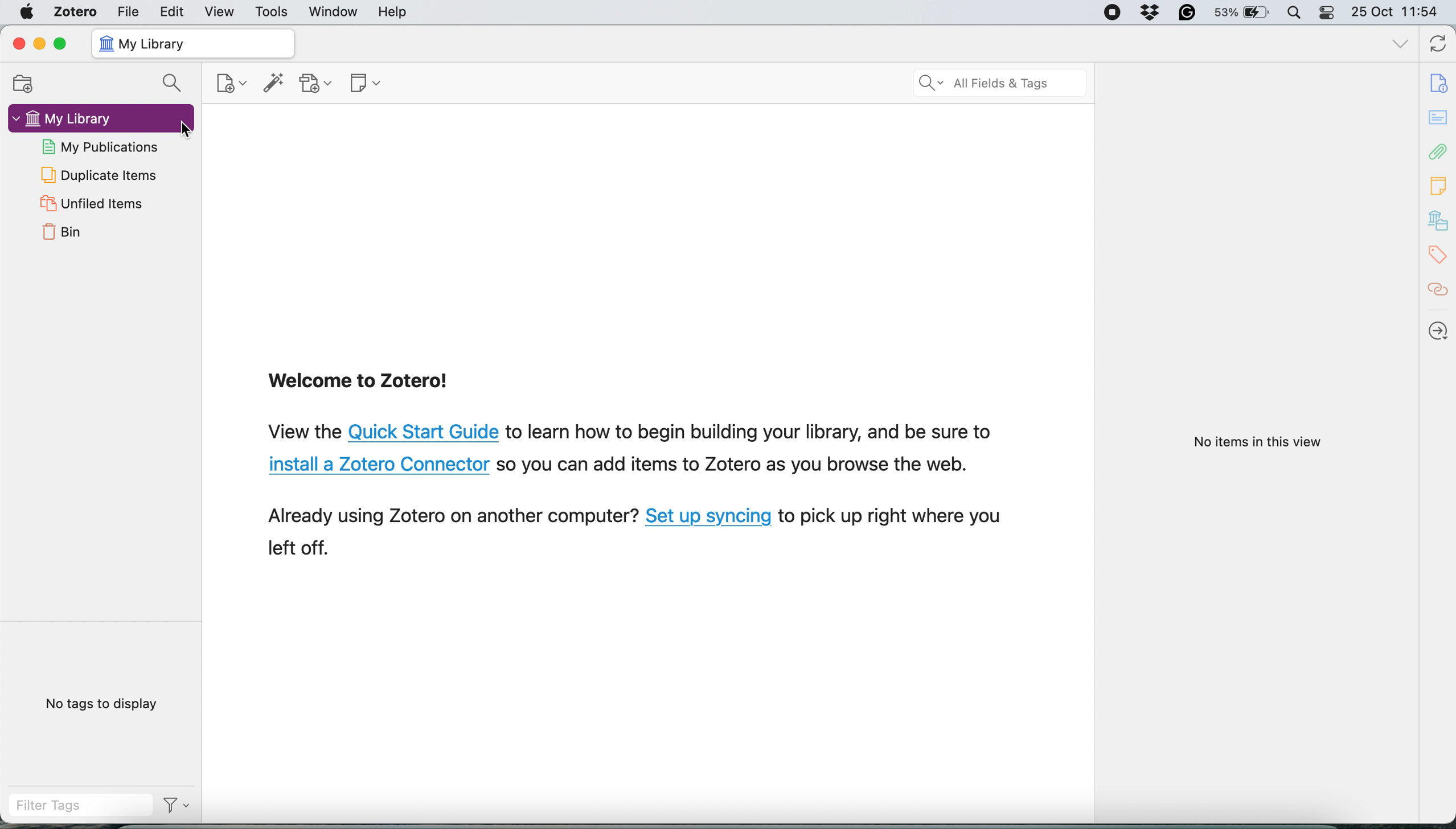 Image resolution: width=1456 pixels, height=829 pixels. What do you see at coordinates (178, 809) in the screenshot?
I see `Filter Options` at bounding box center [178, 809].